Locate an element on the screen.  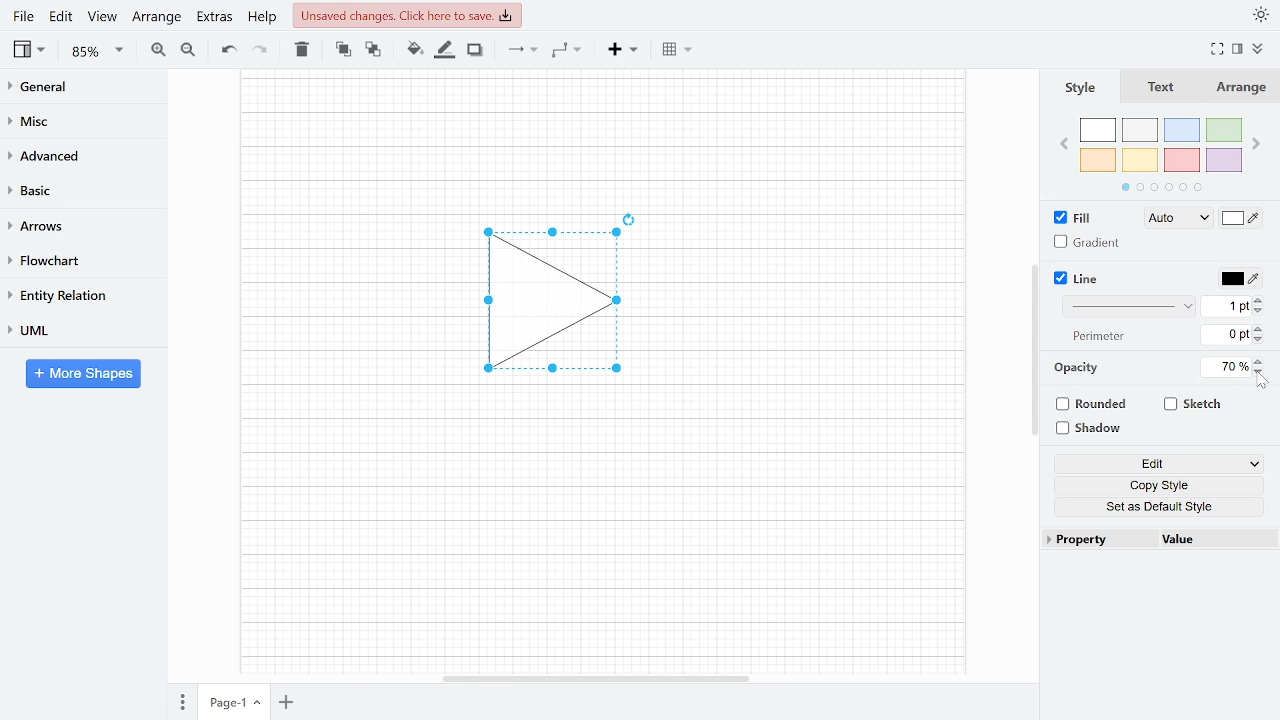
Fill is located at coordinates (1078, 218).